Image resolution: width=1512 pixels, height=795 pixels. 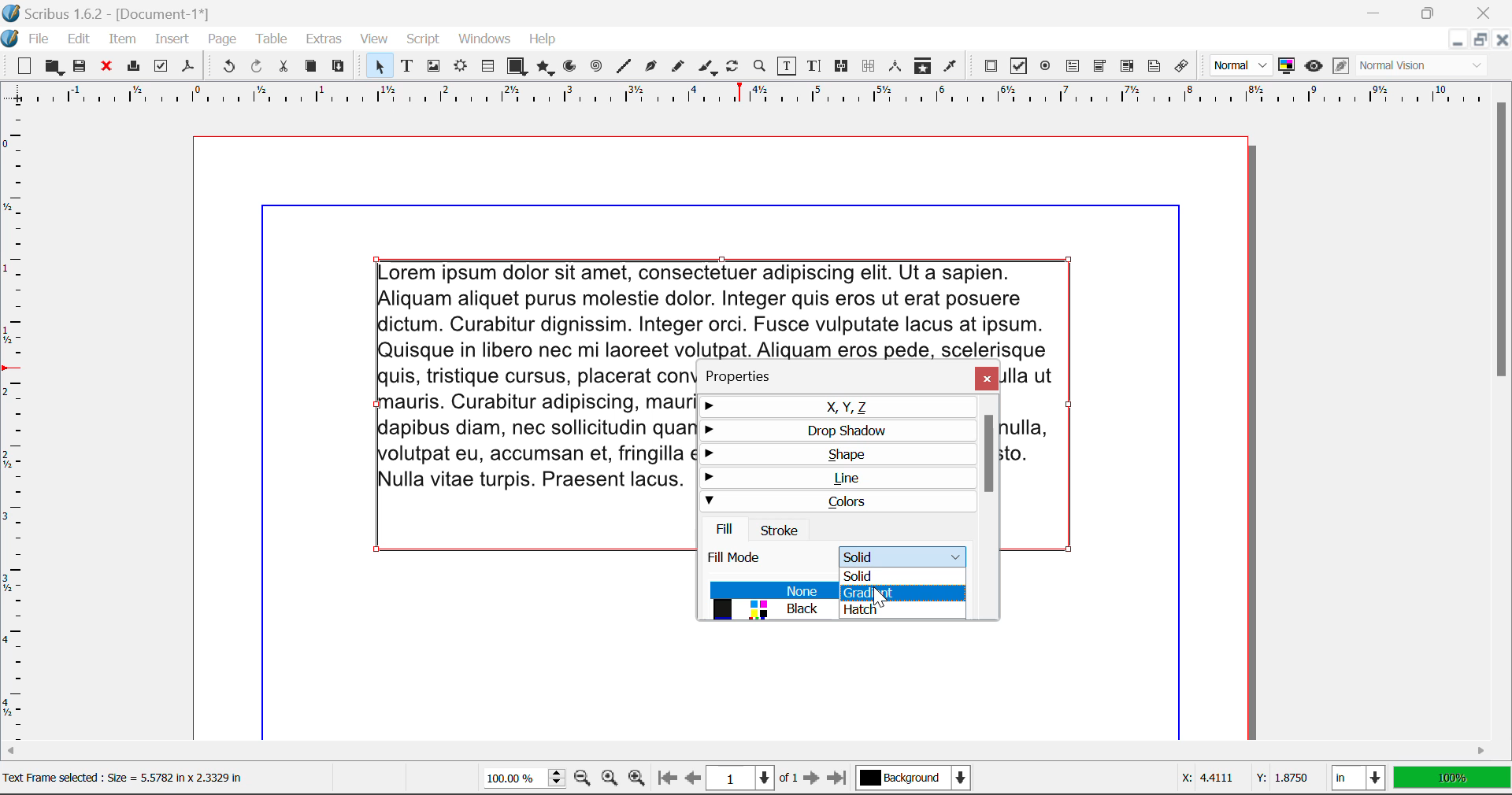 I want to click on Visual Appearance Type, so click(x=1423, y=67).